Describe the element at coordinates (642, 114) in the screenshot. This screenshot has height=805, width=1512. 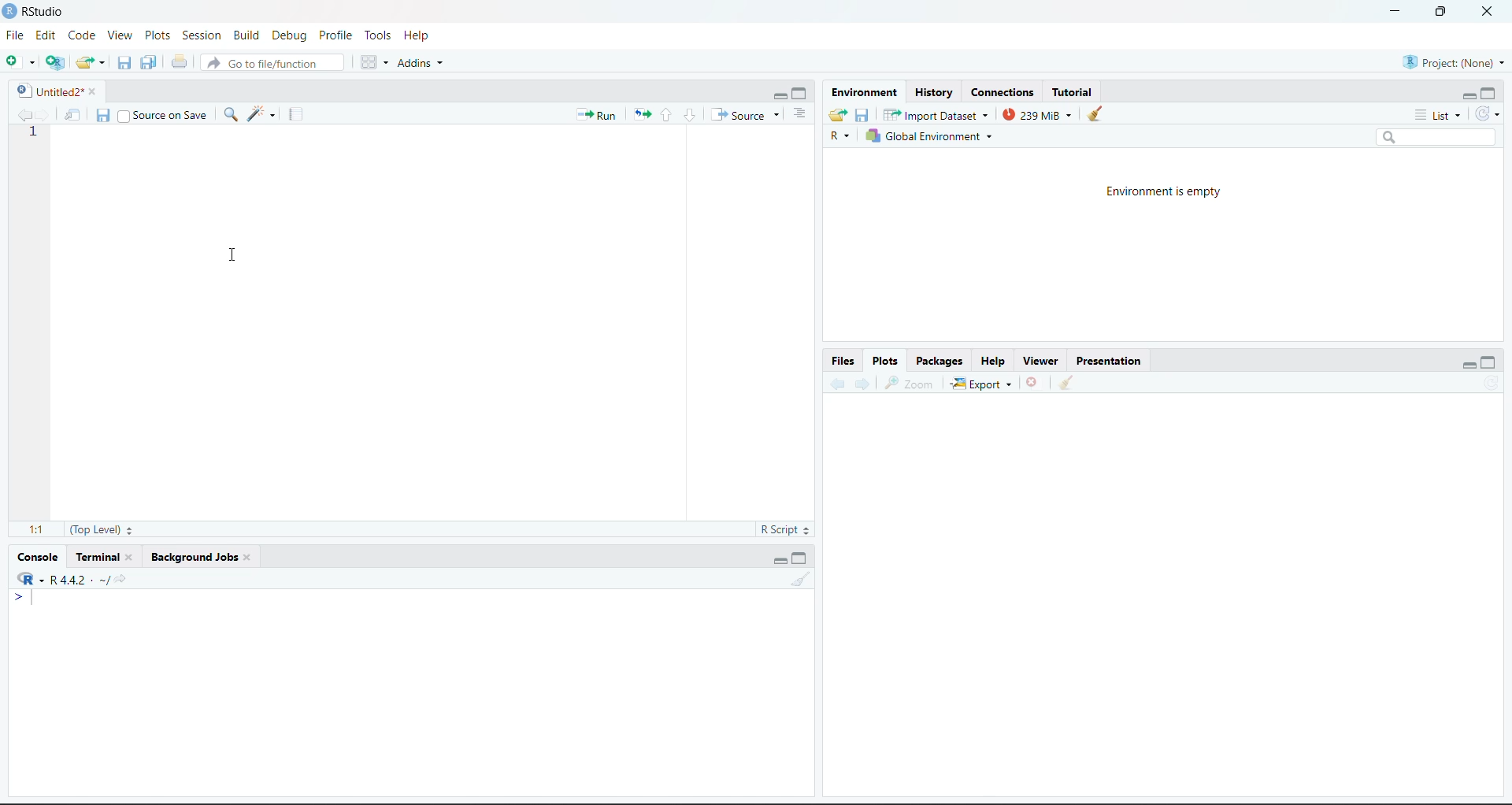
I see `Re-run the previous code region (Ctrl + Alt + P)` at that location.